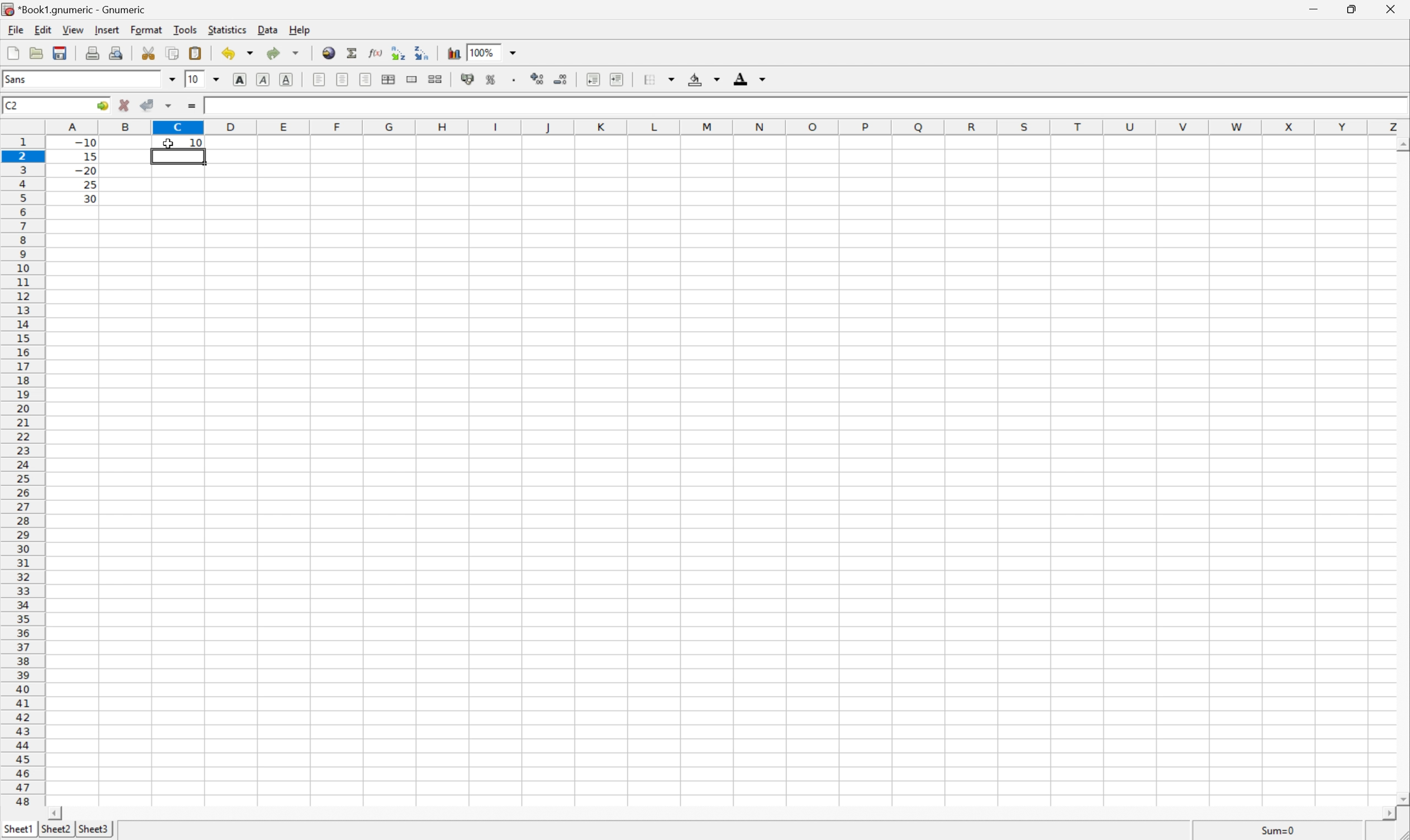 The image size is (1410, 840). I want to click on File, so click(14, 30).